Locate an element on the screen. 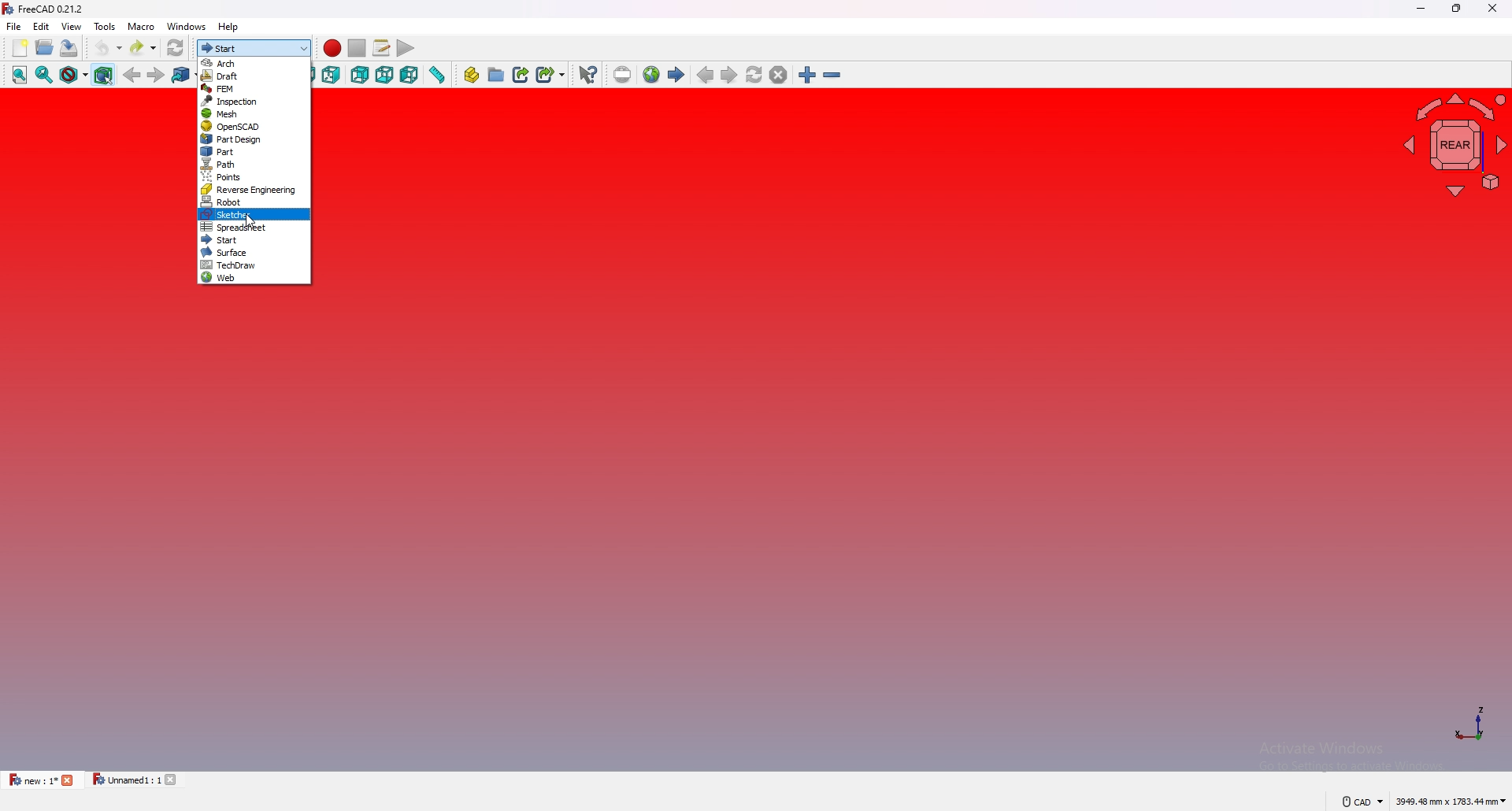 The height and width of the screenshot is (811, 1512). next page is located at coordinates (728, 74).